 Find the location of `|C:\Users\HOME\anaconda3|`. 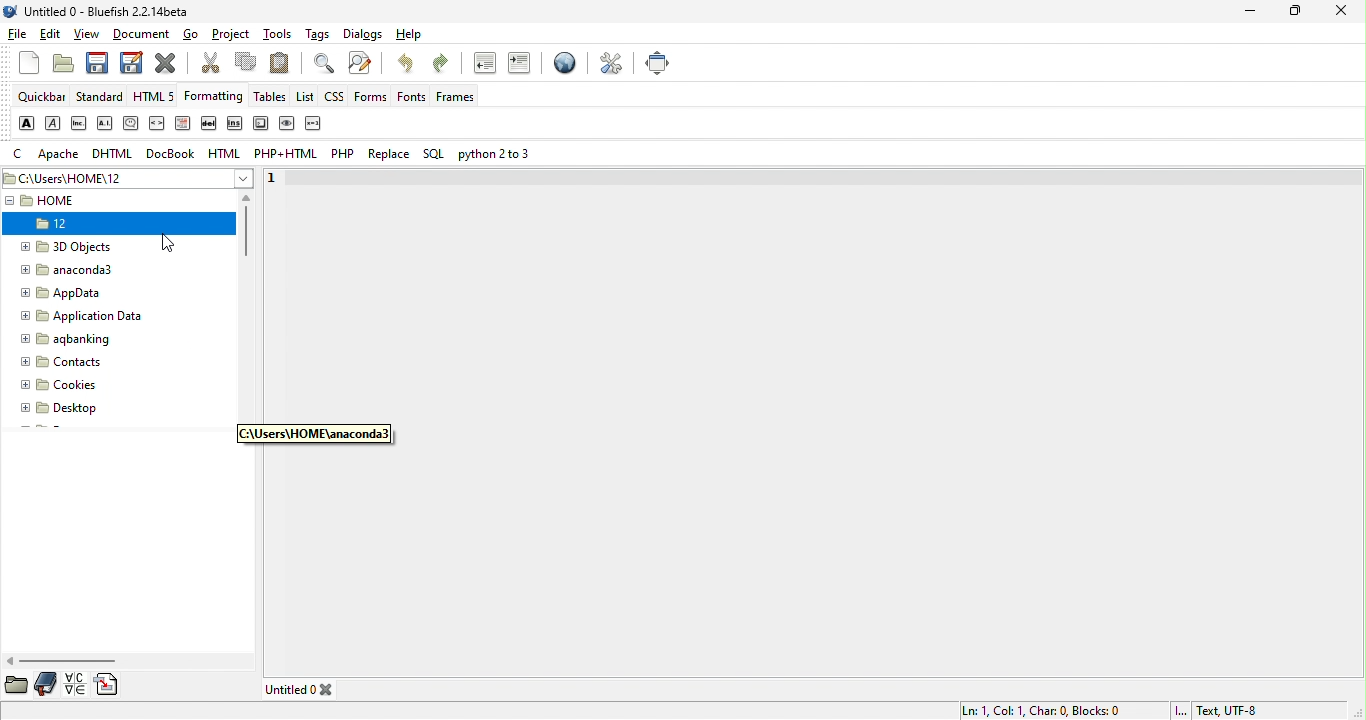

|C:\Users\HOME\anaconda3| is located at coordinates (312, 434).